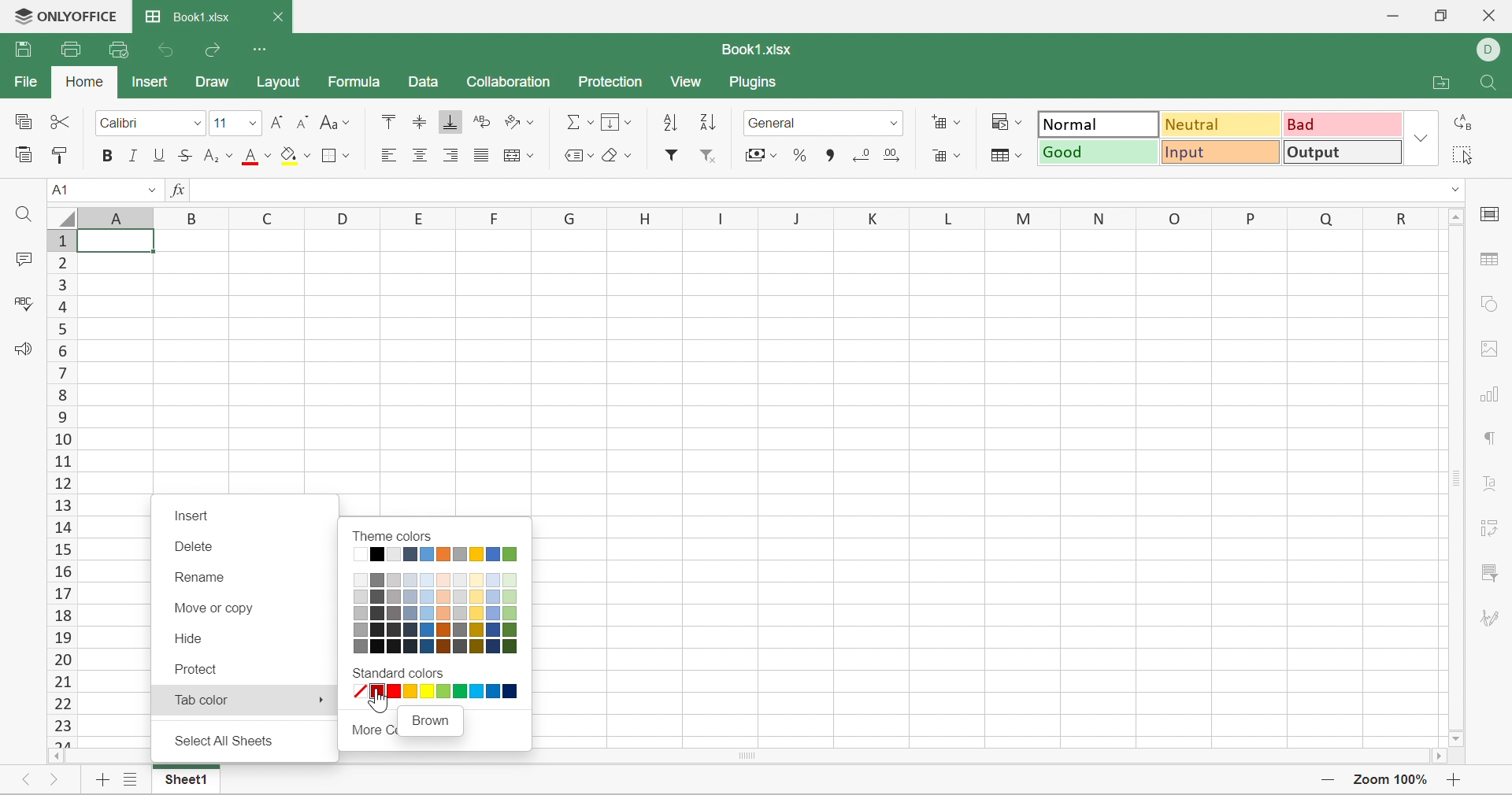  Describe the element at coordinates (1012, 216) in the screenshot. I see `M` at that location.